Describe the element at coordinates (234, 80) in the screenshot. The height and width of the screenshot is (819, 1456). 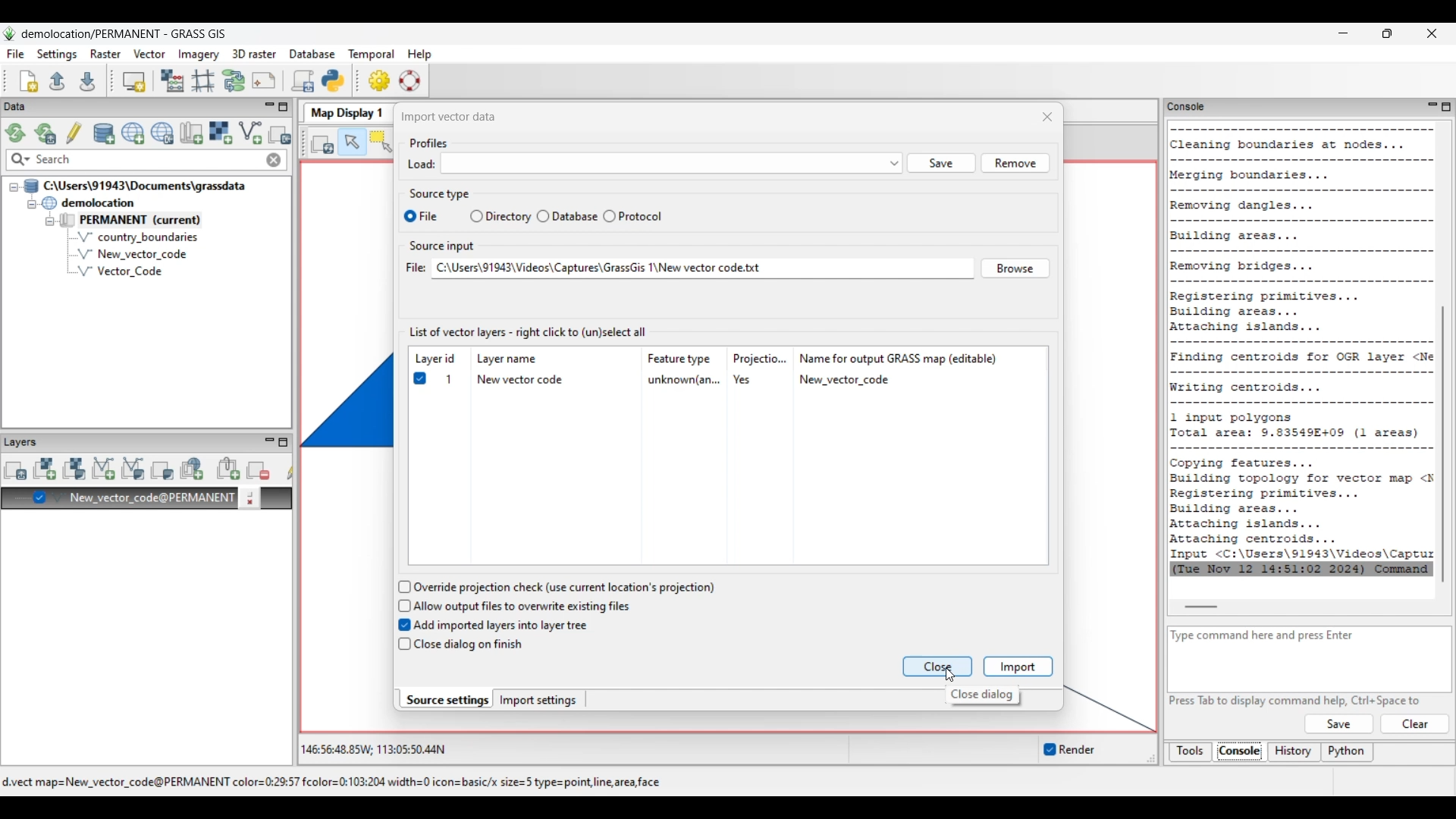
I see `Graphical Modeler` at that location.